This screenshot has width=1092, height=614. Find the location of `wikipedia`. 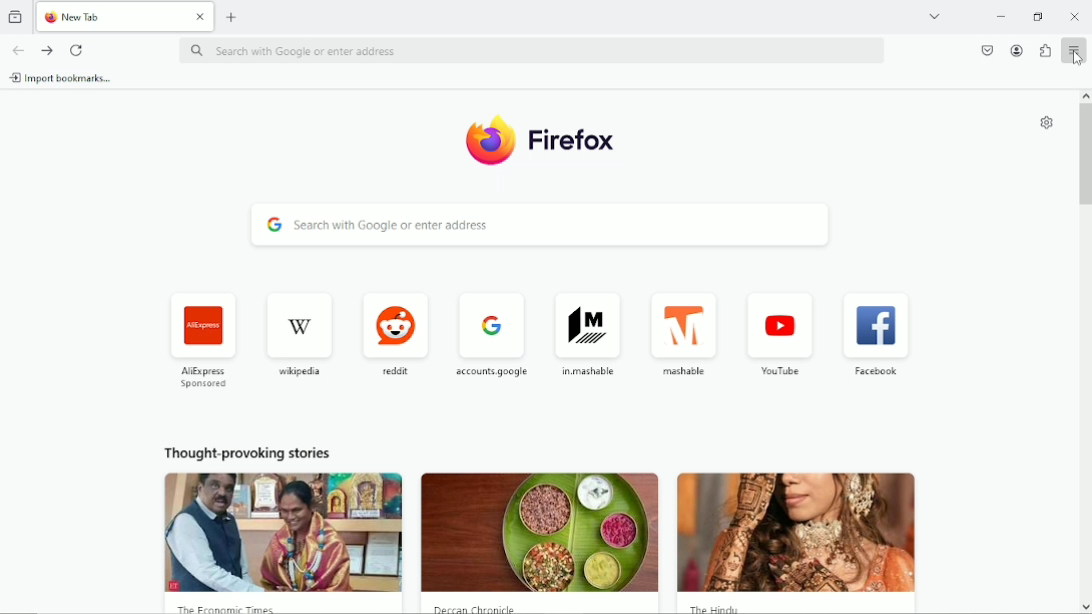

wikipedia is located at coordinates (300, 331).